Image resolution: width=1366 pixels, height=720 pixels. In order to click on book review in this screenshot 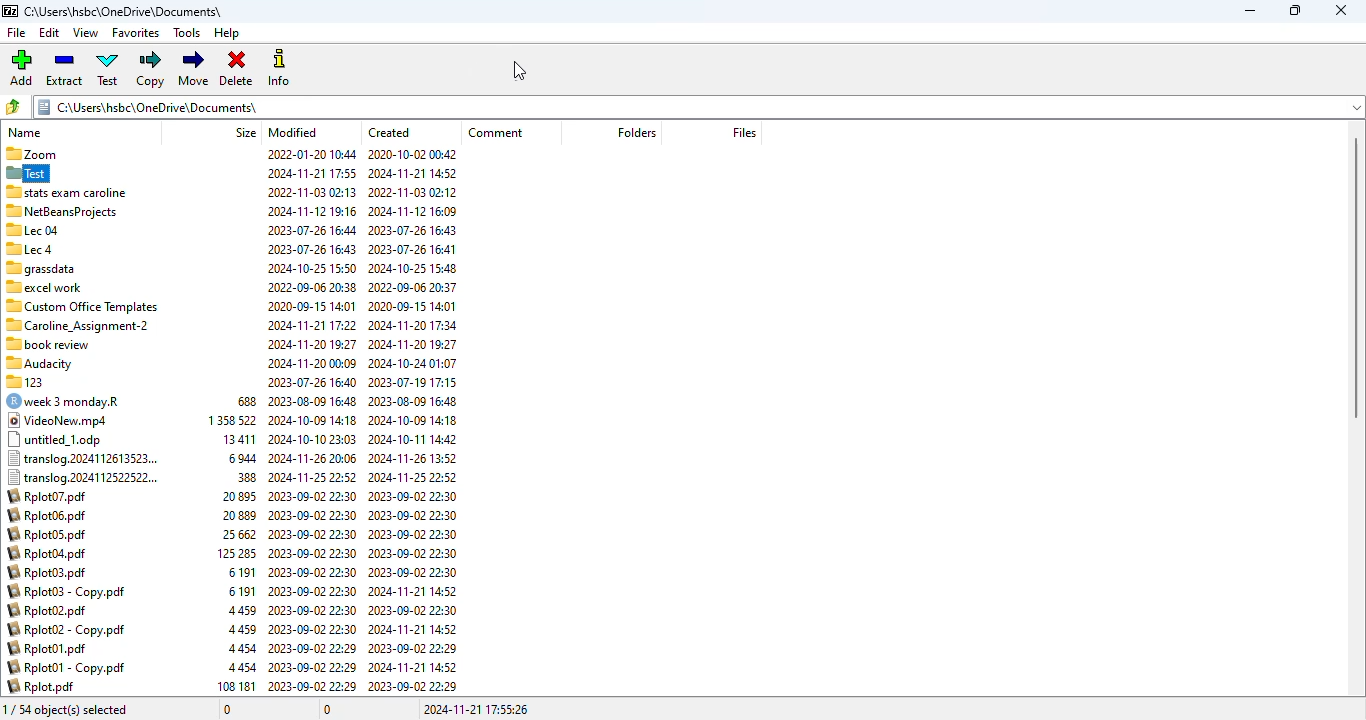, I will do `click(48, 344)`.